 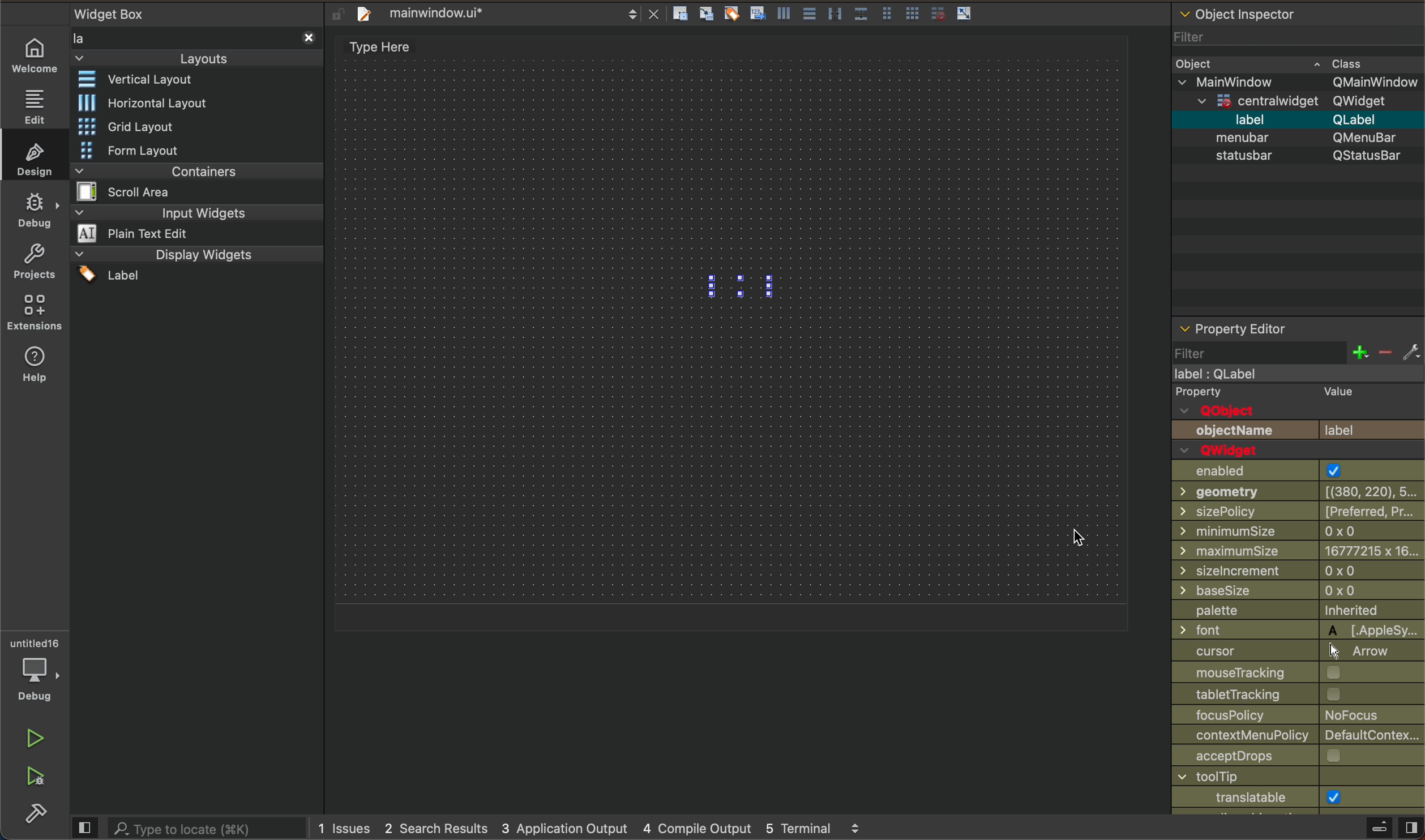 What do you see at coordinates (35, 367) in the screenshot?
I see `help` at bounding box center [35, 367].